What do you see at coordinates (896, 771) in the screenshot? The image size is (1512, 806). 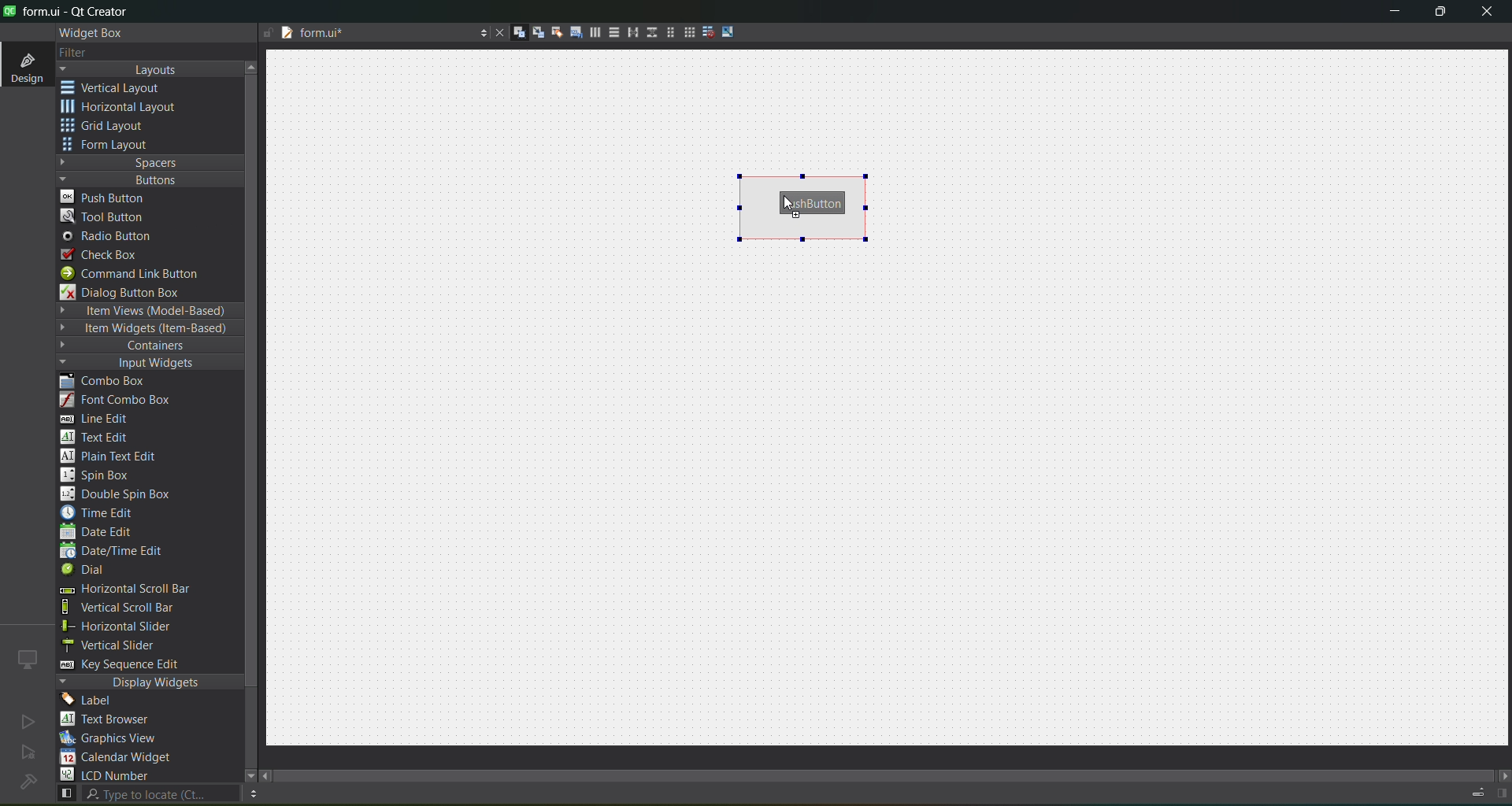 I see `scroll bar` at bounding box center [896, 771].